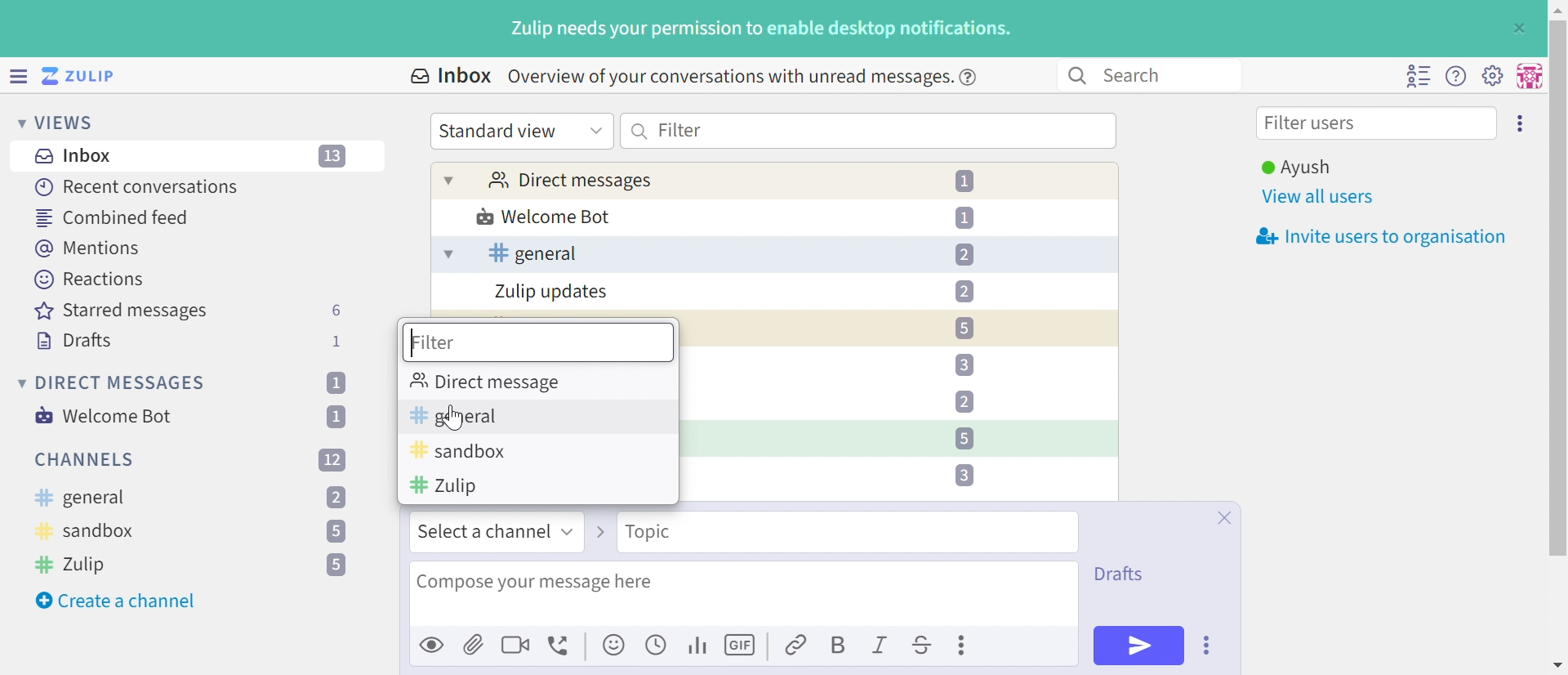 The width and height of the screenshot is (1568, 675). What do you see at coordinates (16, 122) in the screenshot?
I see `Drop Down` at bounding box center [16, 122].